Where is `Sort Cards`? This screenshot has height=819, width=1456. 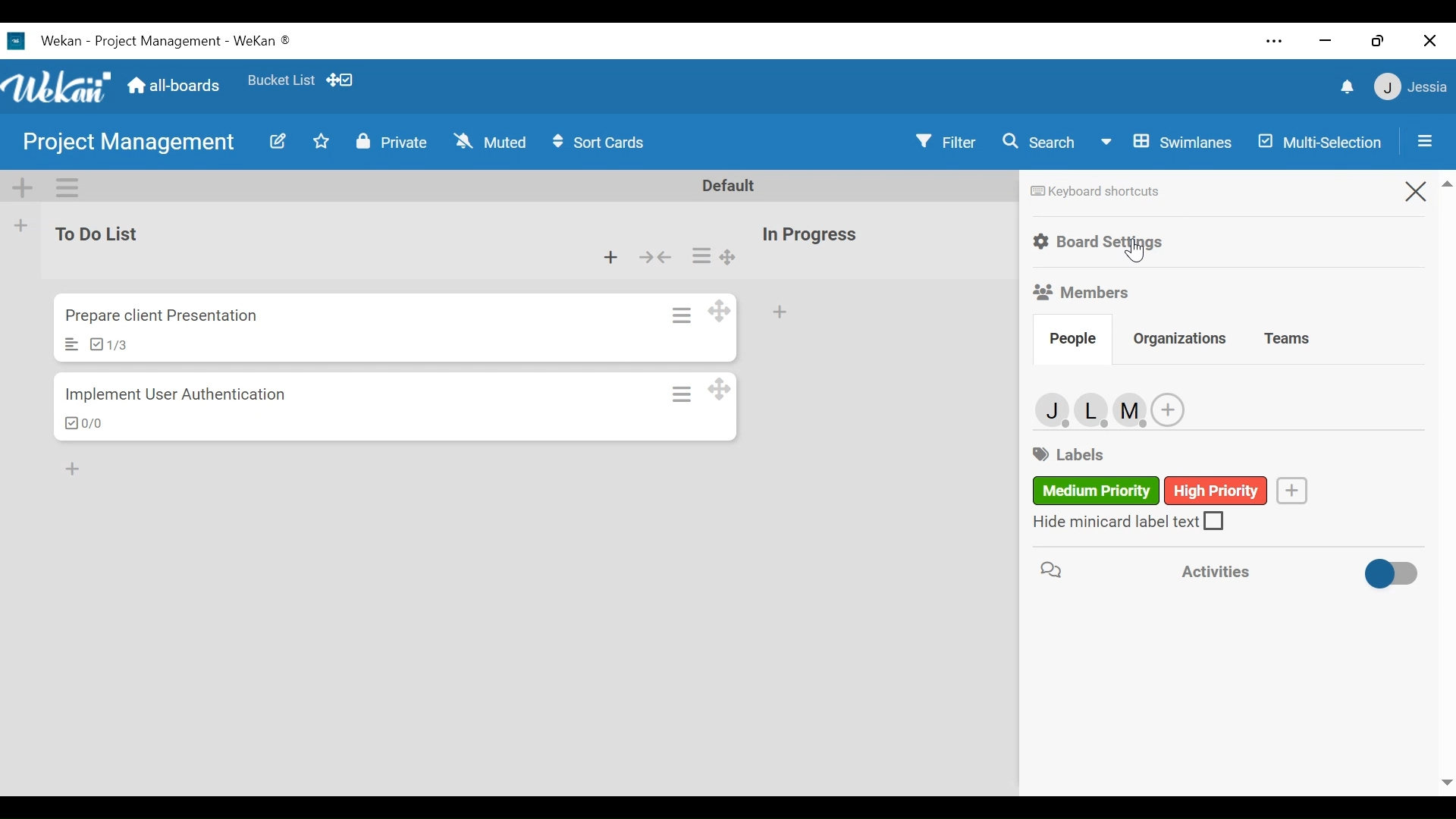 Sort Cards is located at coordinates (604, 144).